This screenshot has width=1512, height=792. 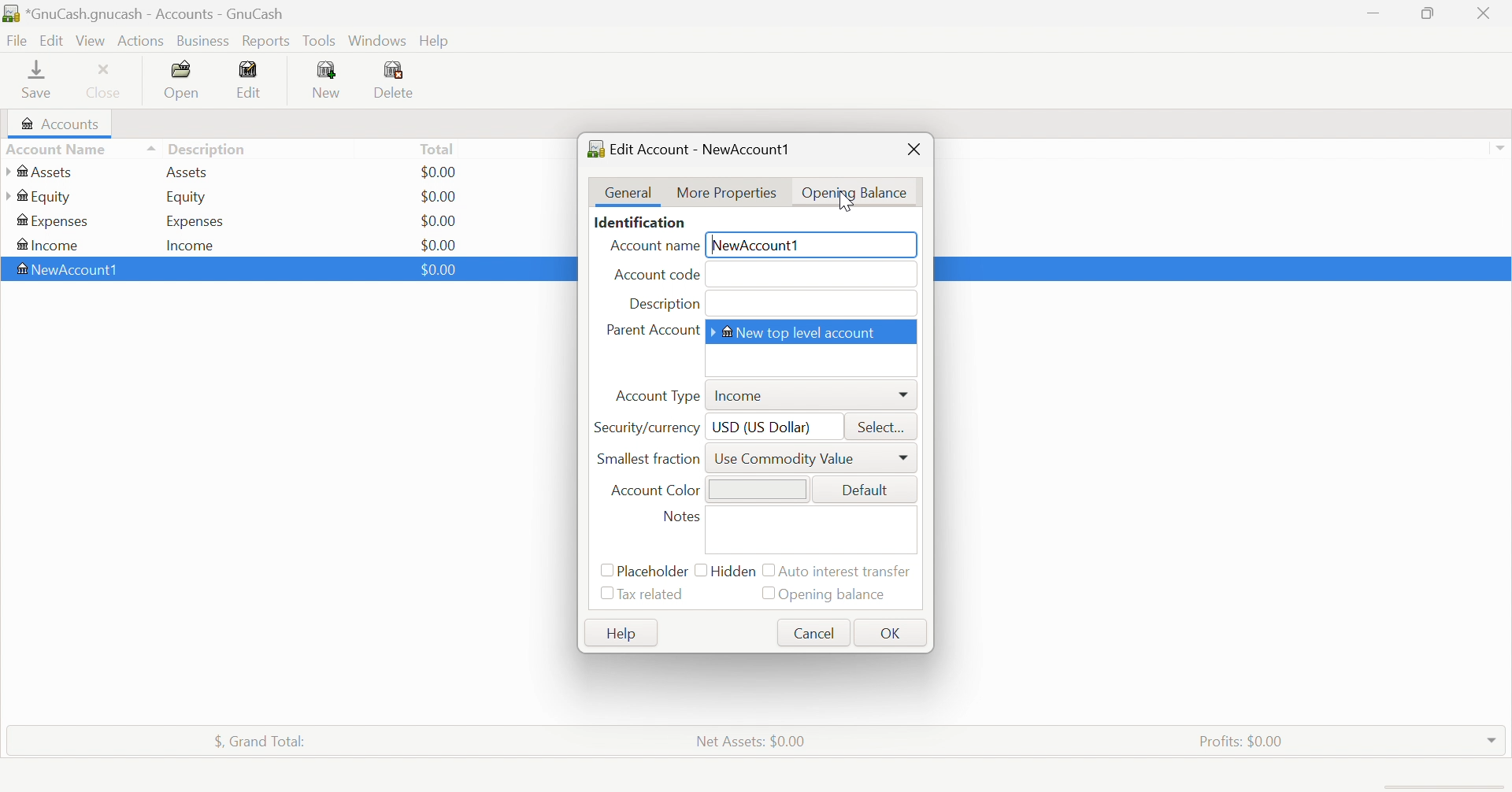 What do you see at coordinates (604, 569) in the screenshot?
I see `Checkbox` at bounding box center [604, 569].